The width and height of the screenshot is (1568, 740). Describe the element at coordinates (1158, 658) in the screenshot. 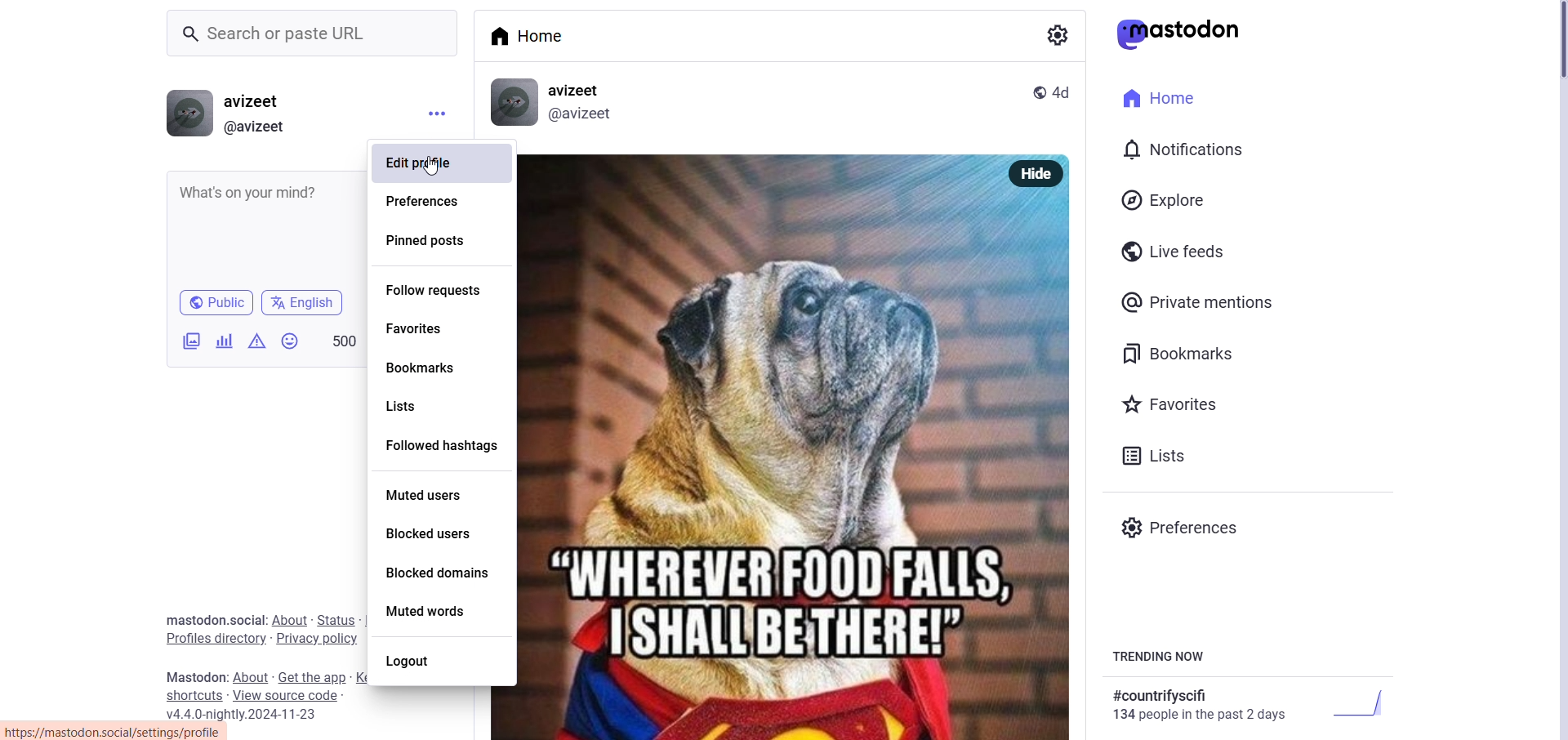

I see `trending now` at that location.